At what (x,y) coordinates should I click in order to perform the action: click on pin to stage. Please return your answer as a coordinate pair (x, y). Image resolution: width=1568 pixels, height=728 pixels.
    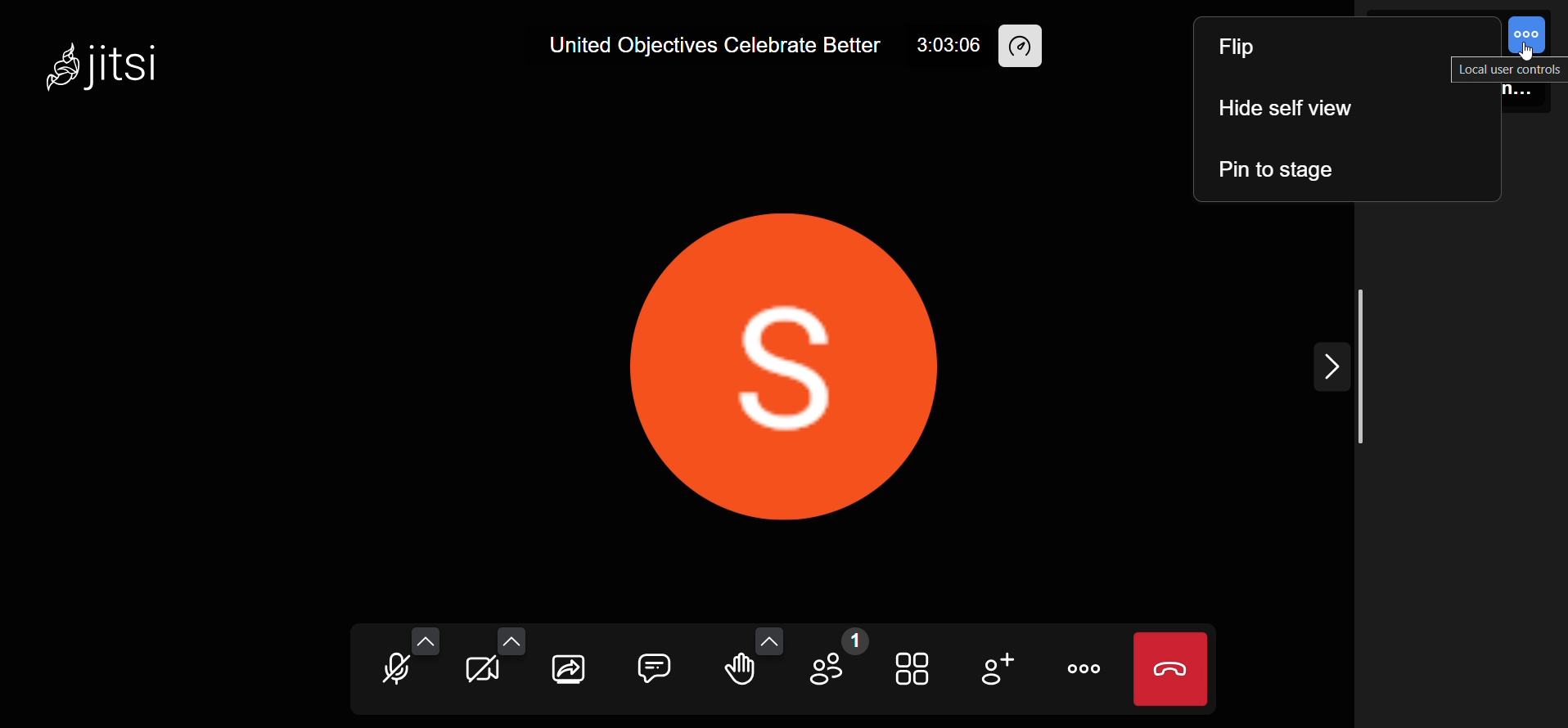
    Looking at the image, I should click on (1279, 170).